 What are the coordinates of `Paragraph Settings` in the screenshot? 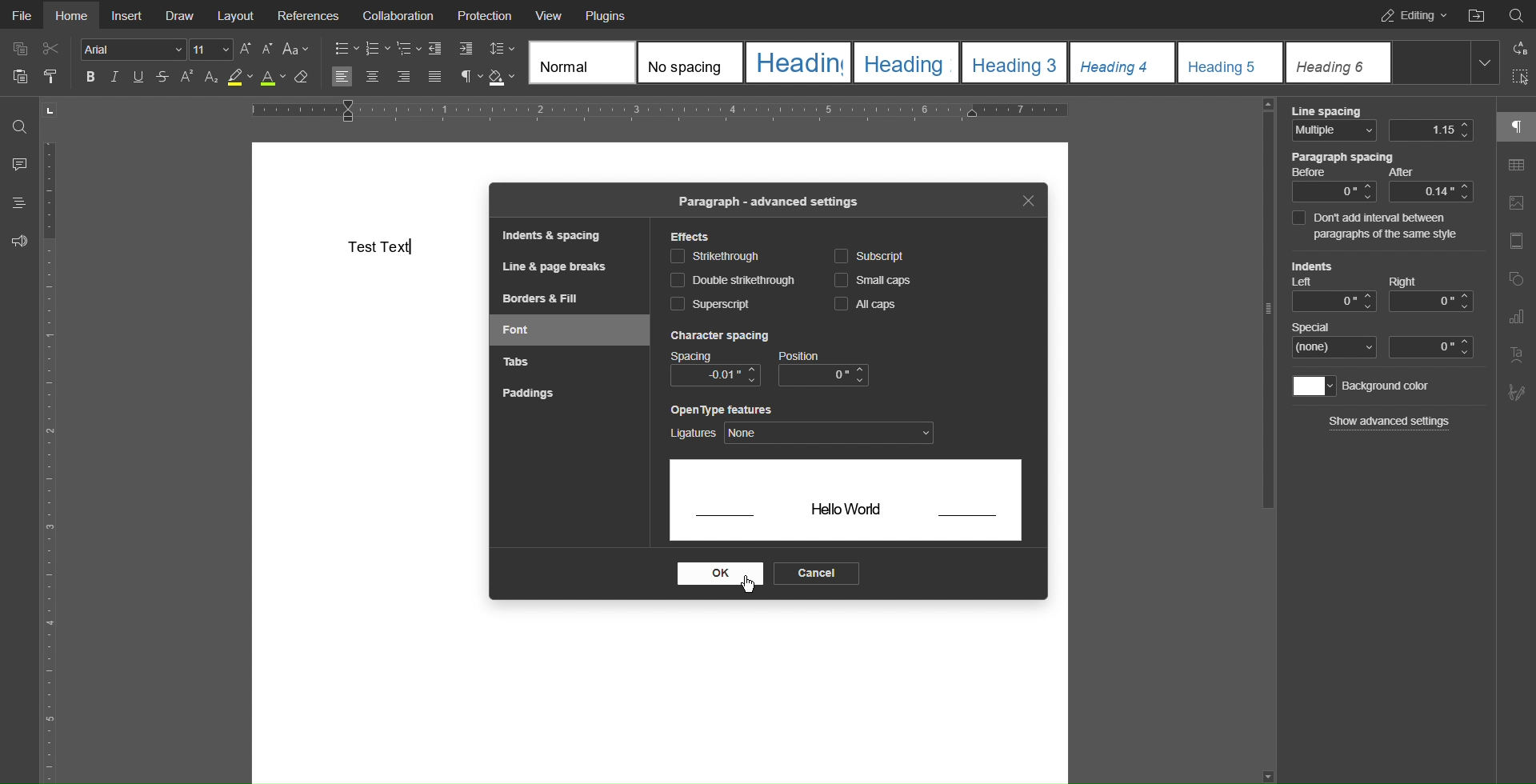 It's located at (470, 78).